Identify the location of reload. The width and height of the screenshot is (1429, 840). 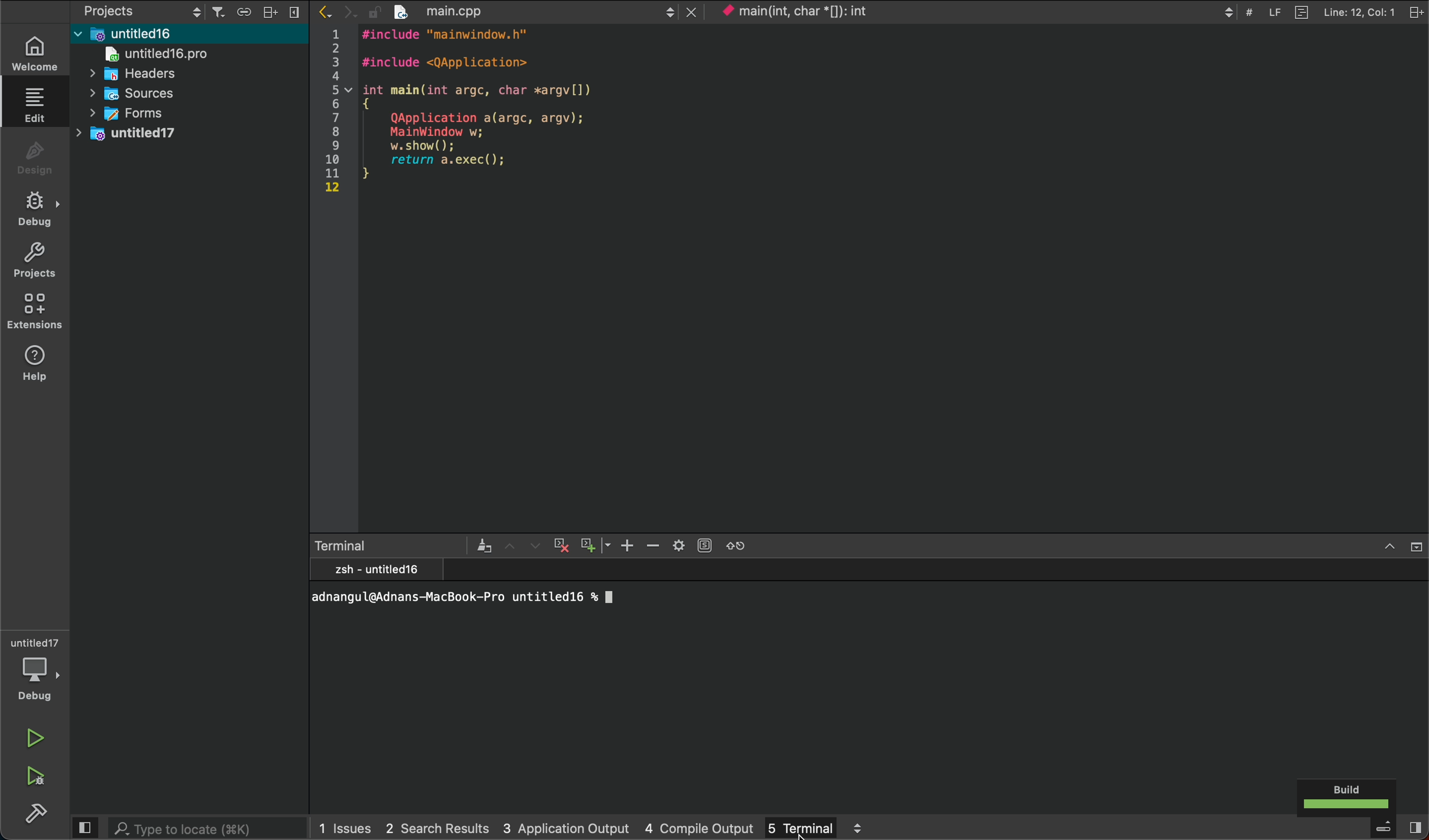
(743, 544).